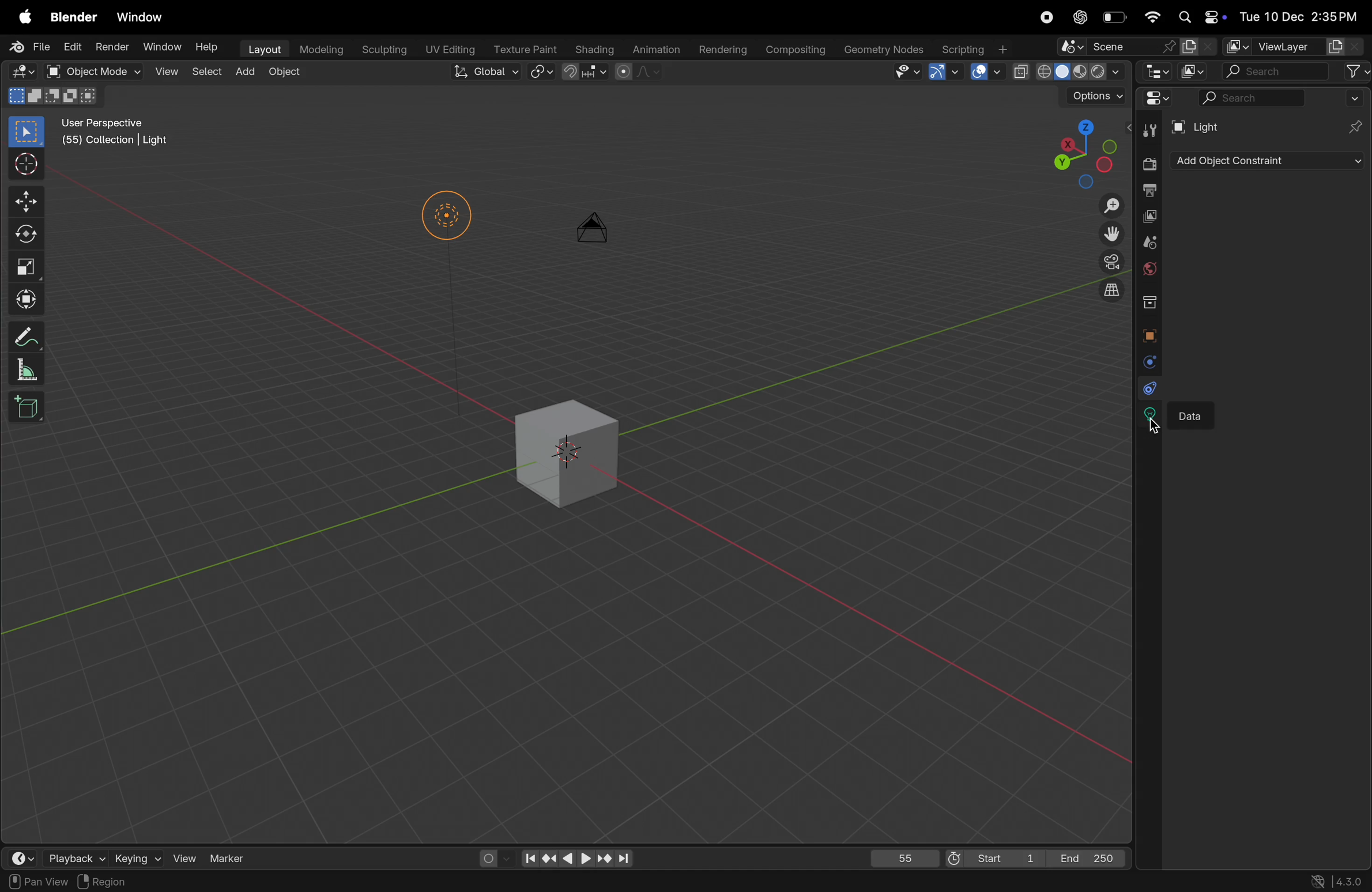 This screenshot has height=892, width=1372. Describe the element at coordinates (1079, 17) in the screenshot. I see `cahtgpt` at that location.